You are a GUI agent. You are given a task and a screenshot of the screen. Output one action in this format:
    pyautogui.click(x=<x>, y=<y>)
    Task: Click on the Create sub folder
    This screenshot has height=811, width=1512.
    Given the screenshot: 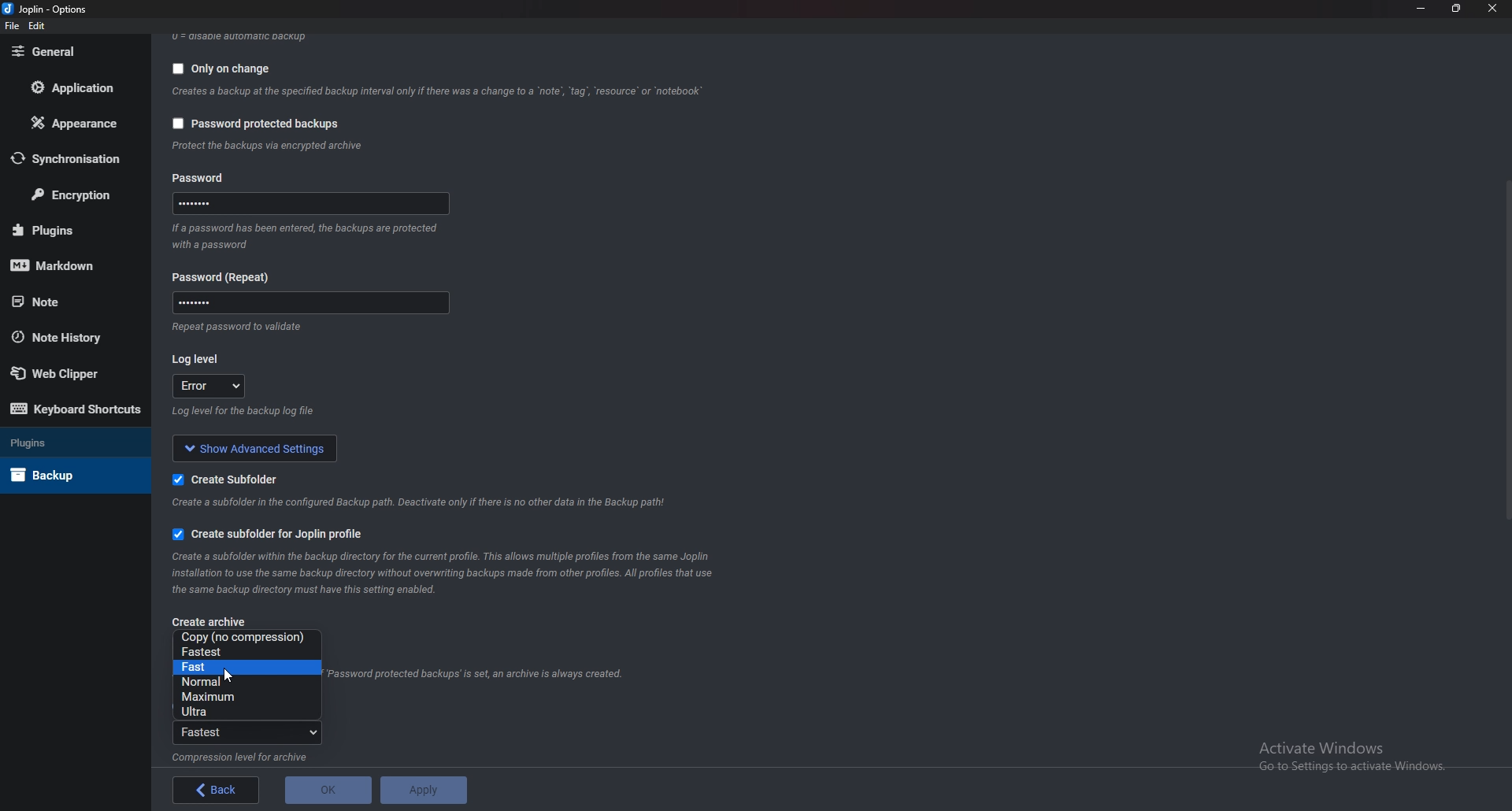 What is the action you would take?
    pyautogui.click(x=230, y=480)
    